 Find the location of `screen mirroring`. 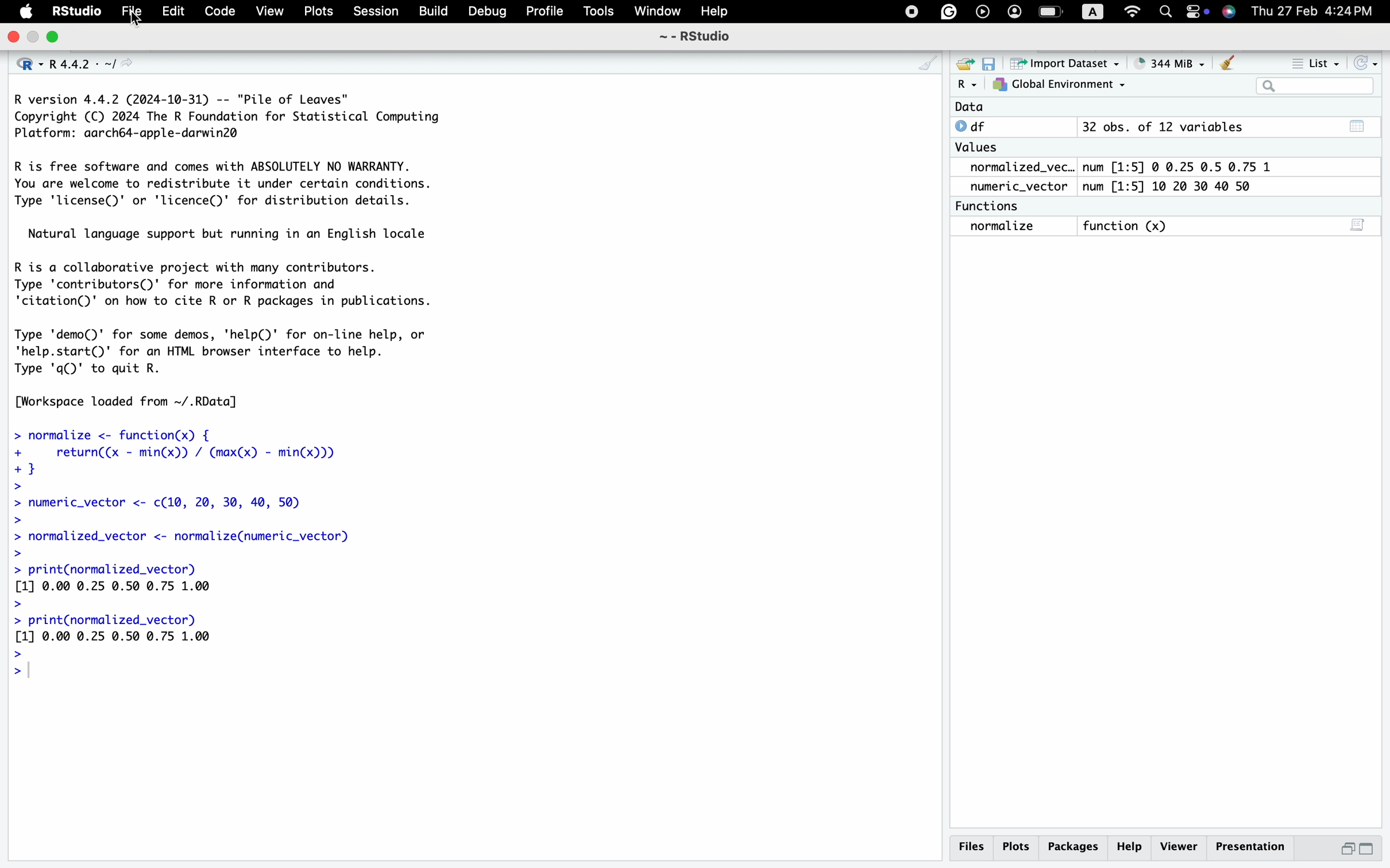

screen mirroring is located at coordinates (1192, 13).